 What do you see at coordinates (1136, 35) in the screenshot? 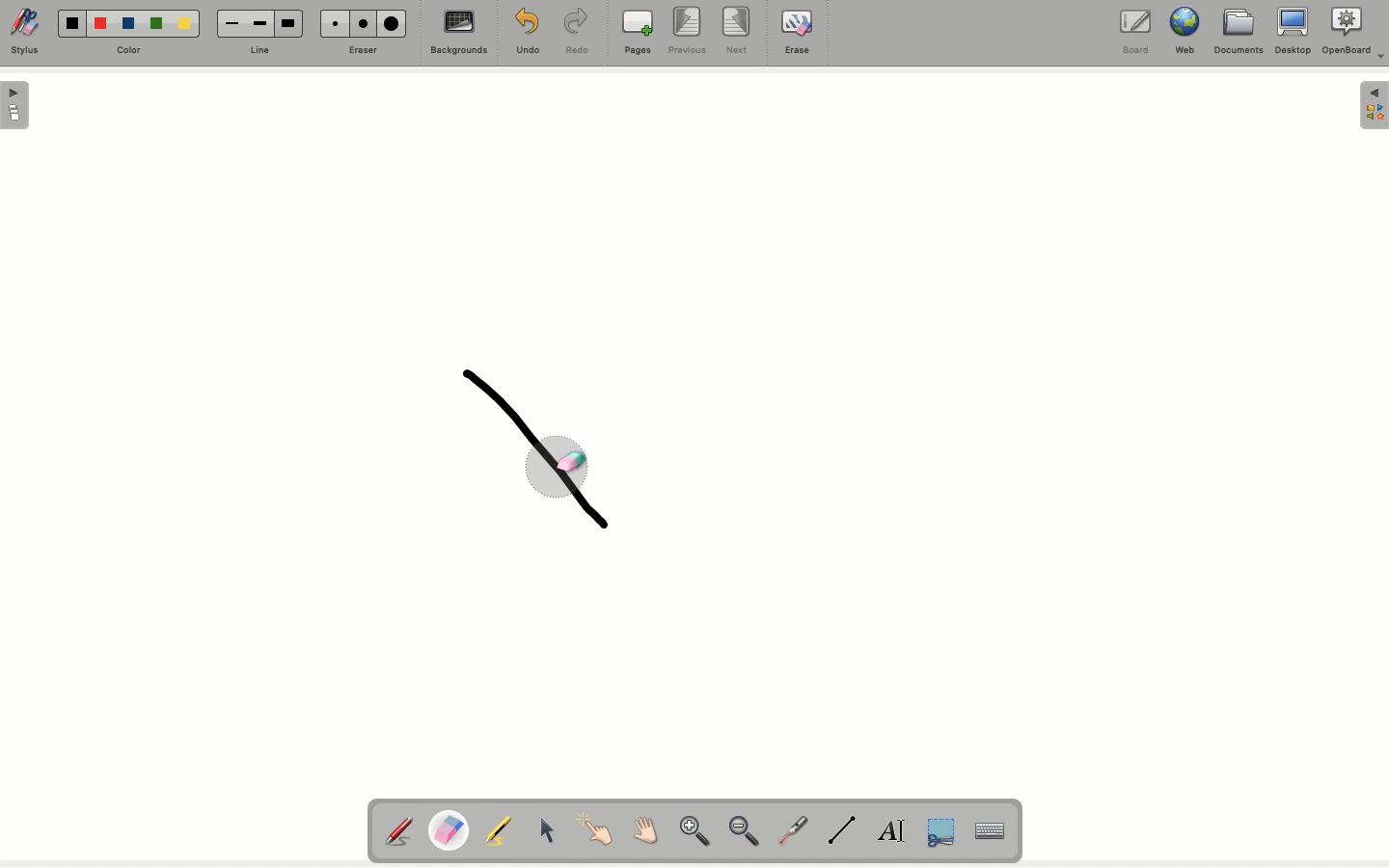
I see `Borad` at bounding box center [1136, 35].